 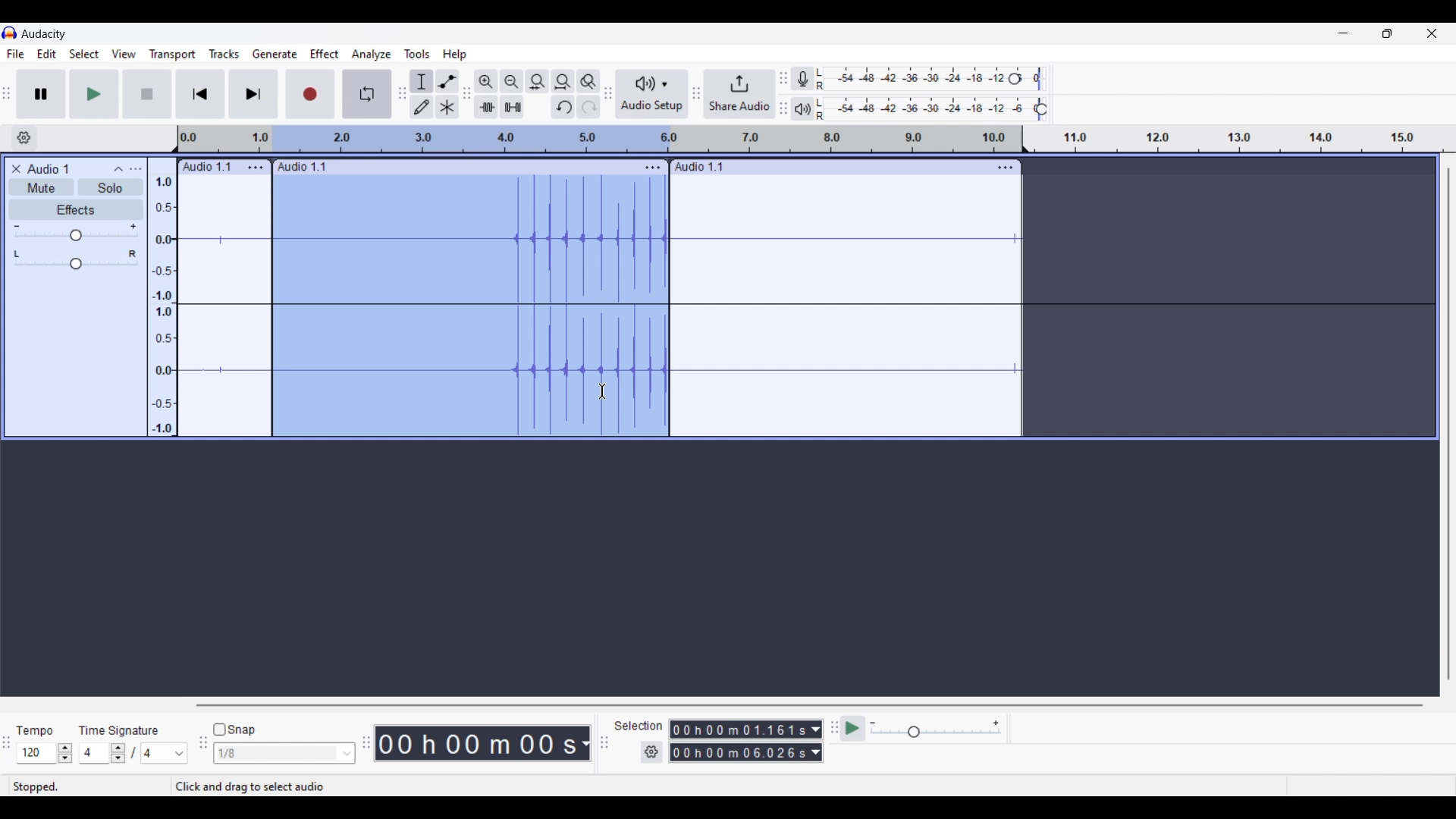 What do you see at coordinates (1387, 33) in the screenshot?
I see `Show interface in a smaller tab` at bounding box center [1387, 33].